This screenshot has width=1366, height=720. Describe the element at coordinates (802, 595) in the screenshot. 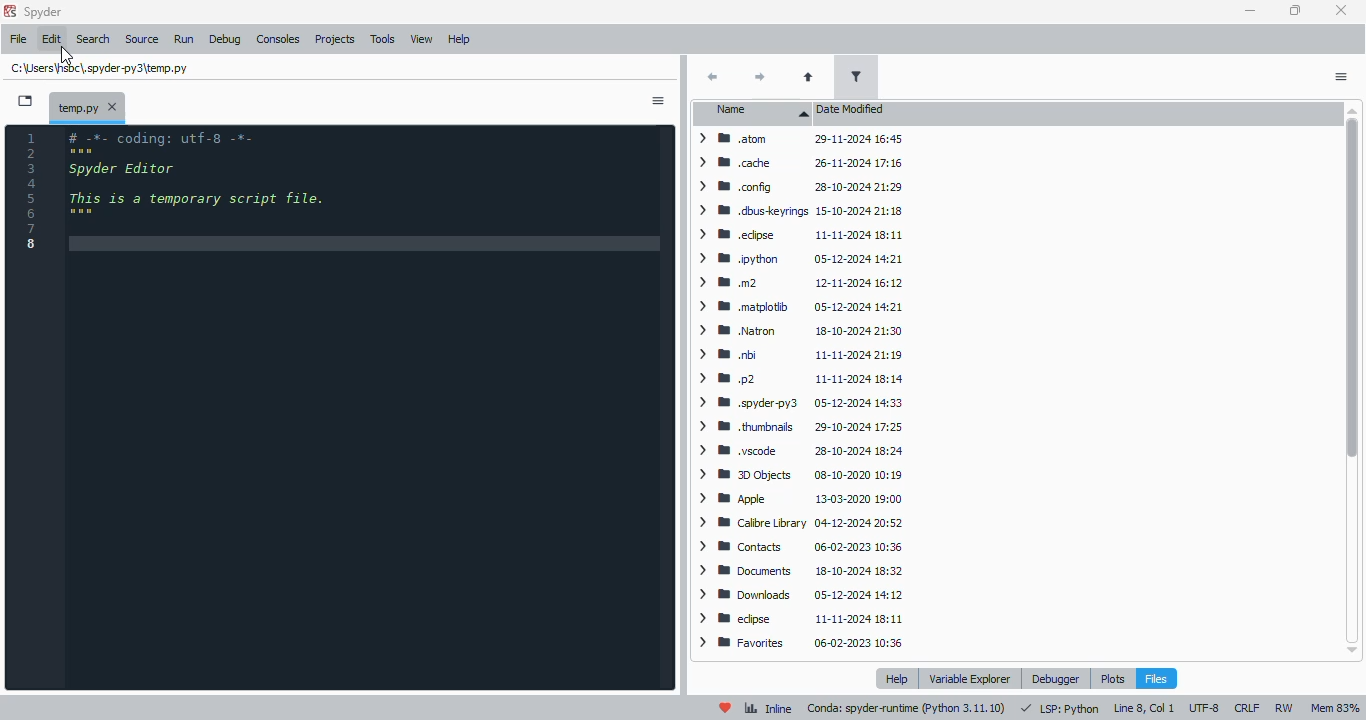

I see `> B® Downloads 05-12-2024 14:12` at that location.